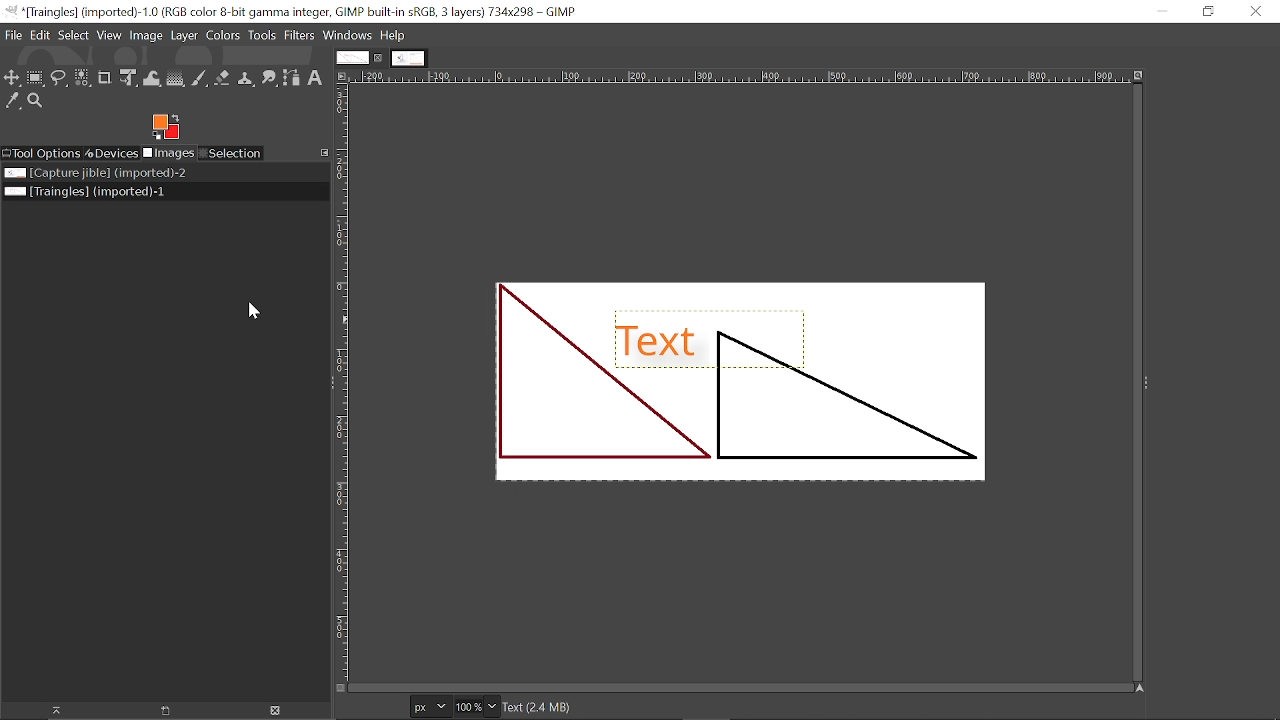 The image size is (1280, 720). Describe the element at coordinates (40, 35) in the screenshot. I see `Edit` at that location.